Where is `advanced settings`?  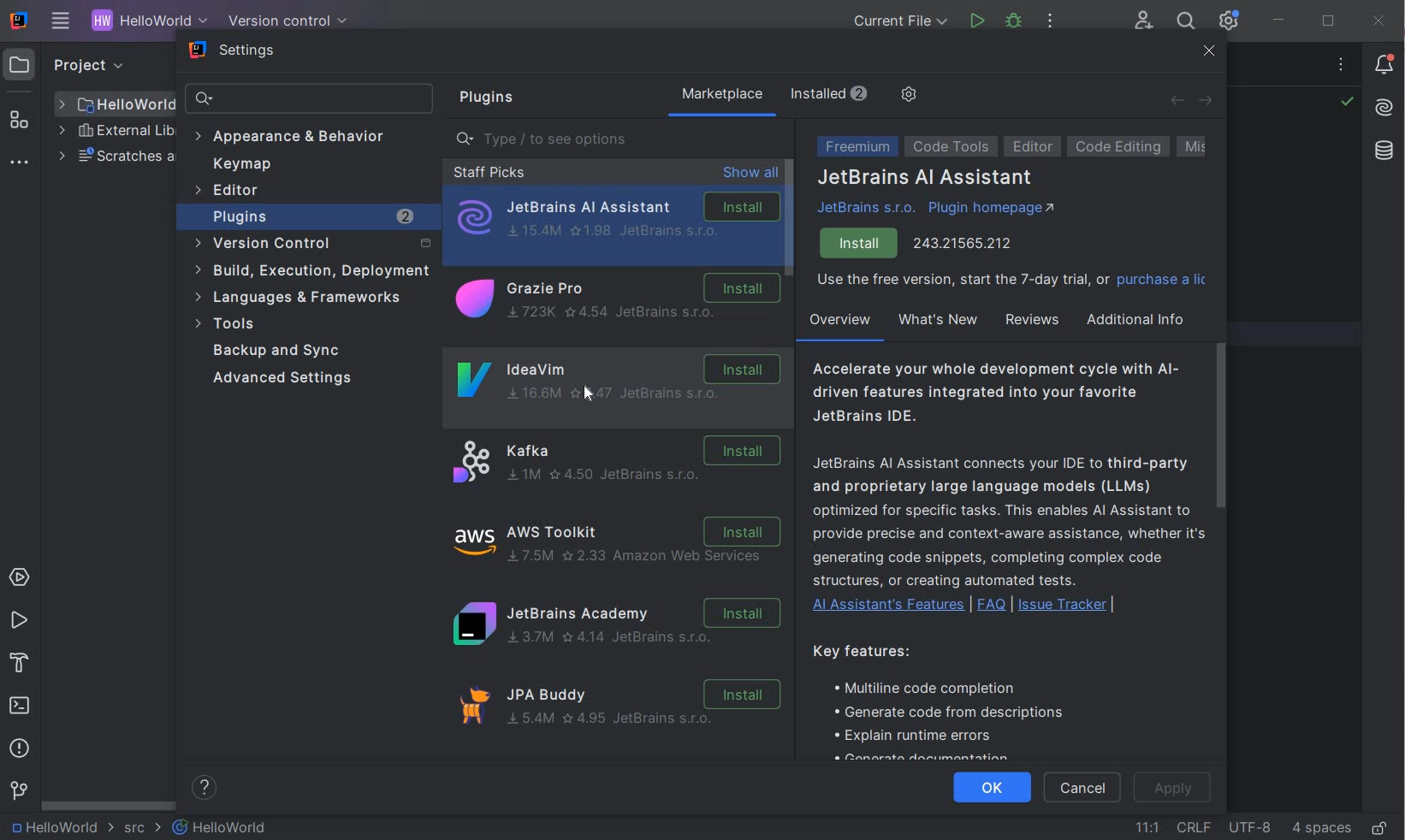
advanced settings is located at coordinates (289, 379).